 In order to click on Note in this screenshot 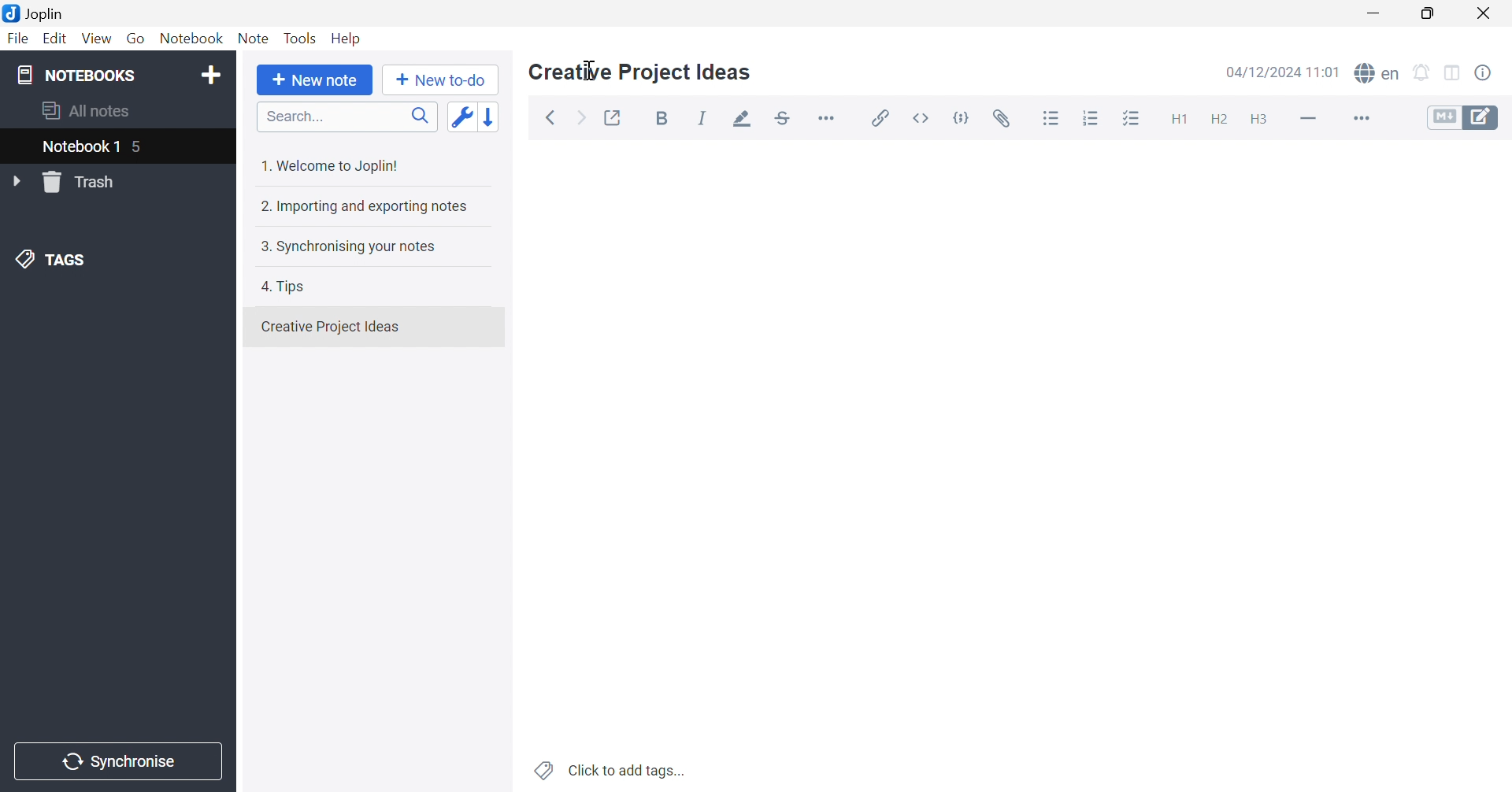, I will do `click(252, 39)`.